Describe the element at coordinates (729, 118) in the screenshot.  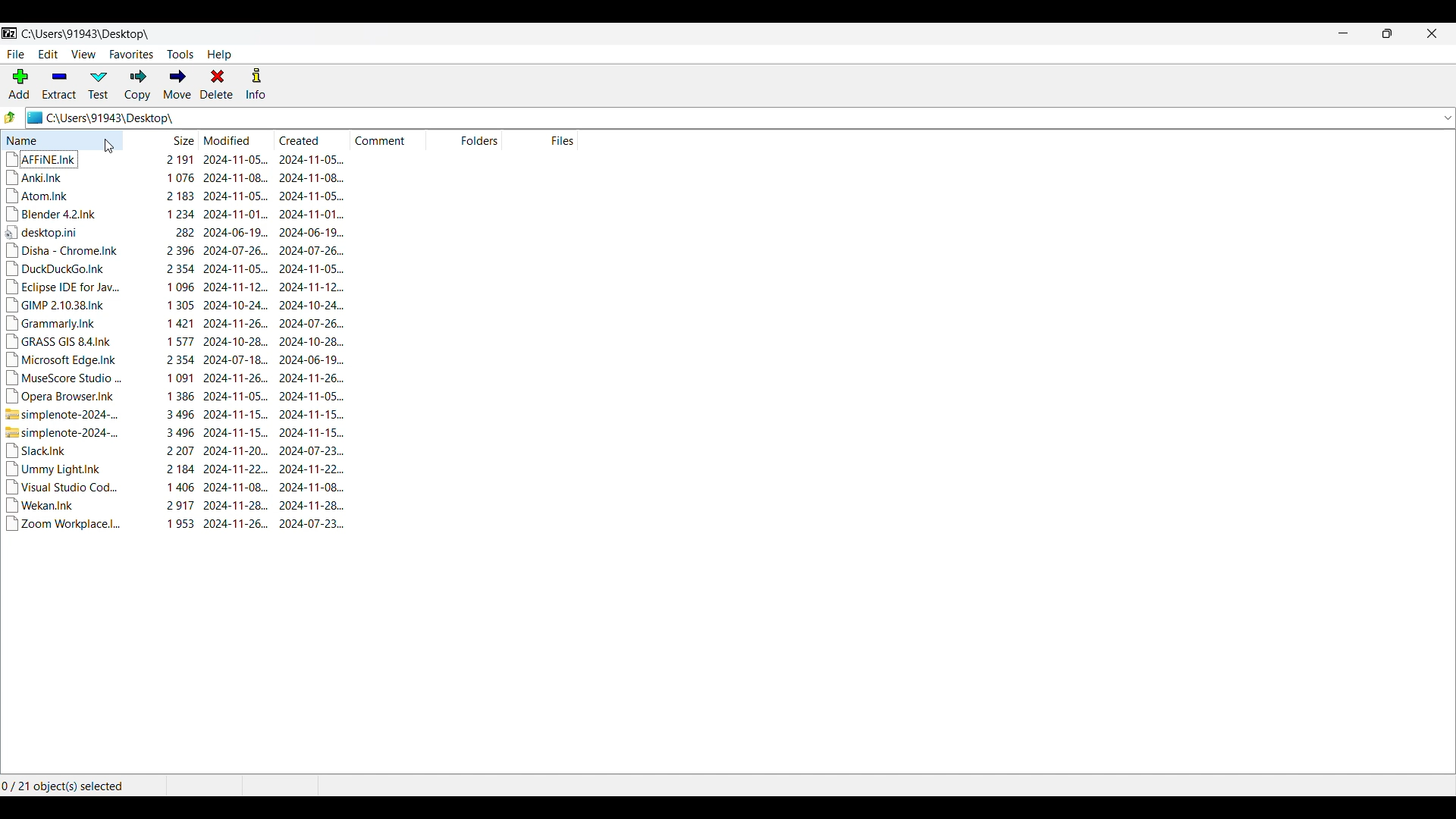
I see `C:\Users\91943\Desktop\` at that location.